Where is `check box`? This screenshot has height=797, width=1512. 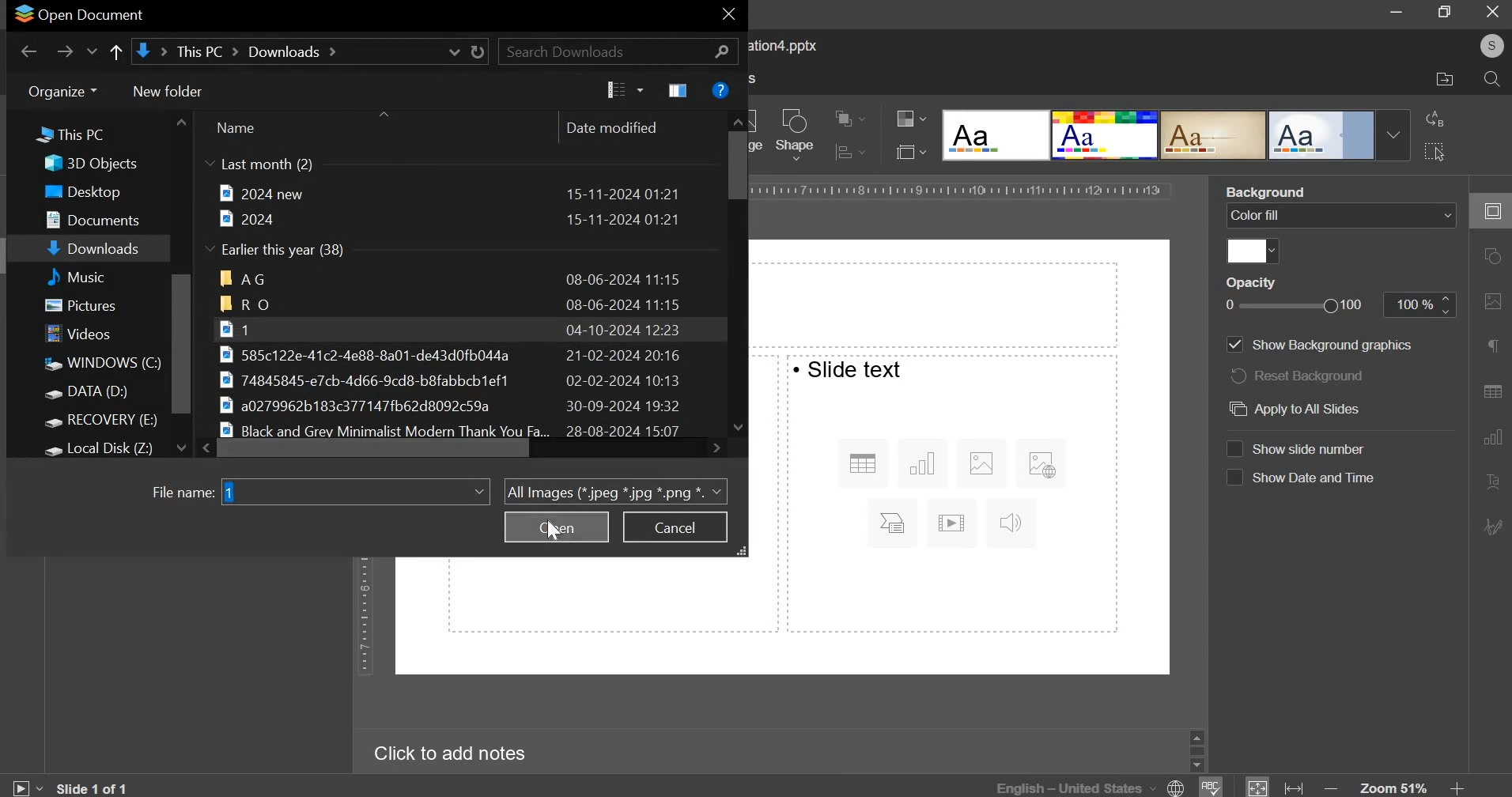 check box is located at coordinates (1234, 478).